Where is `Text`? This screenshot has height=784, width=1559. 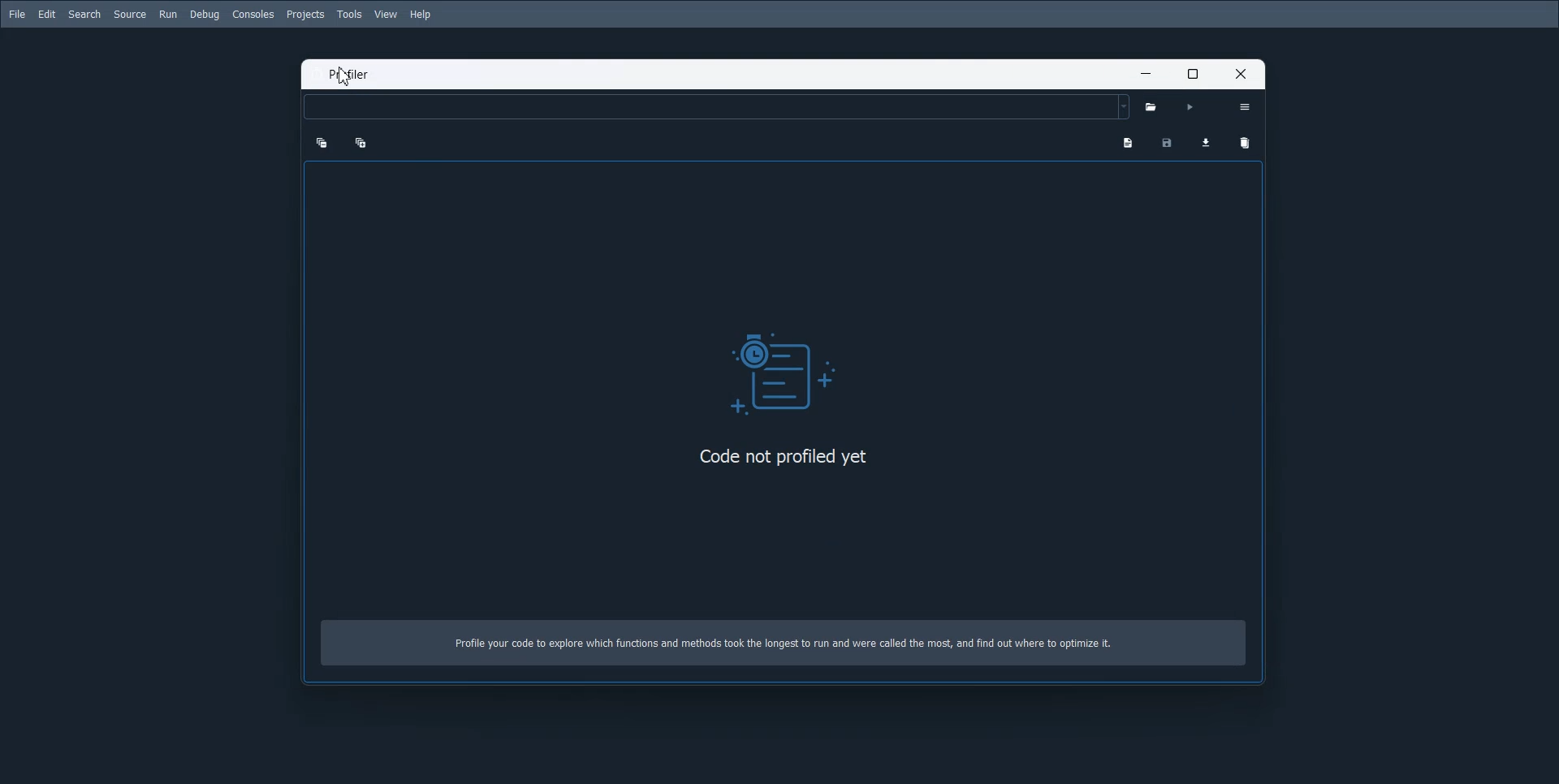 Text is located at coordinates (351, 75).